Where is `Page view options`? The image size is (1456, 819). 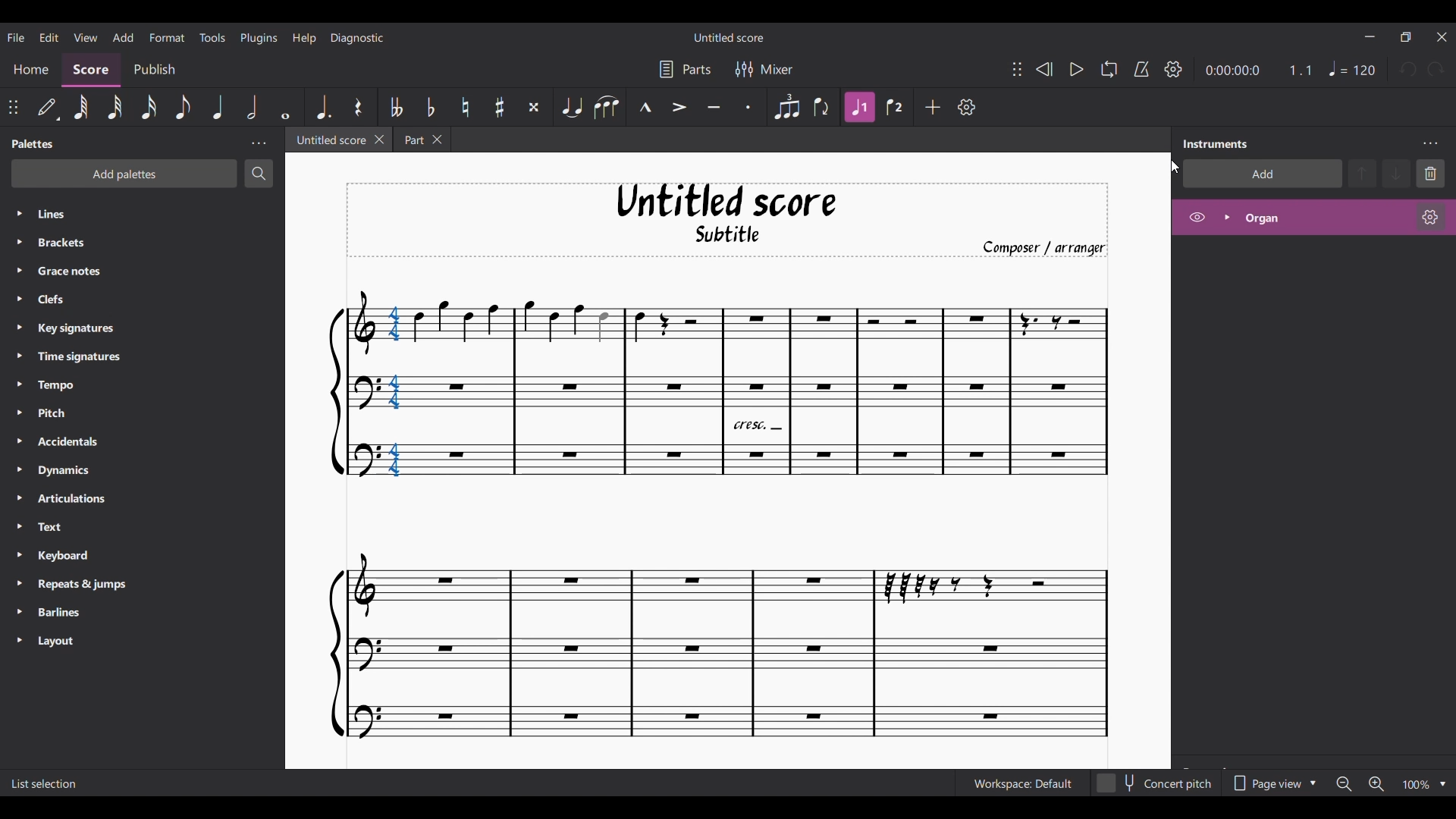
Page view options is located at coordinates (1272, 783).